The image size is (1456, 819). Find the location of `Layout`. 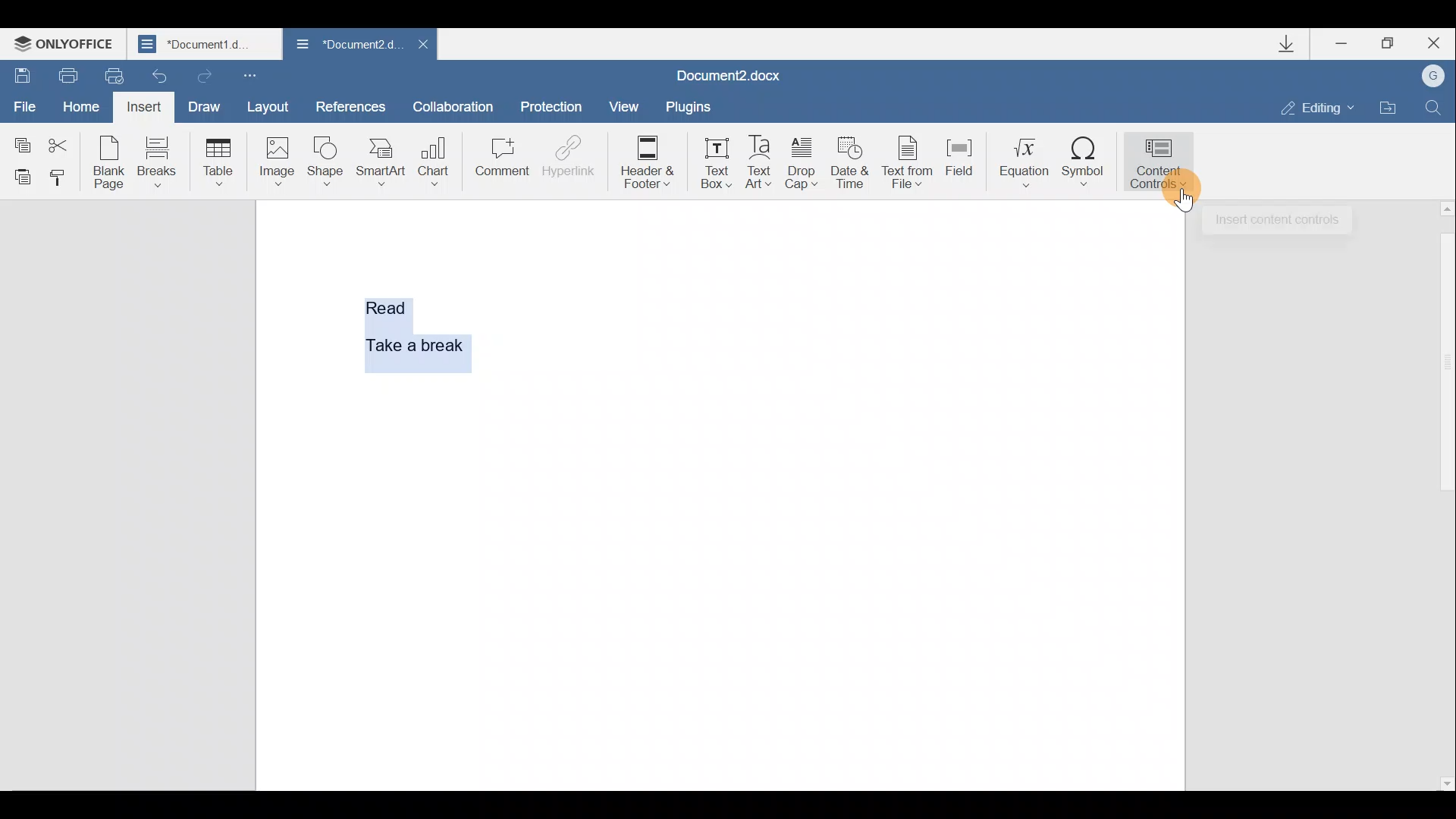

Layout is located at coordinates (276, 109).